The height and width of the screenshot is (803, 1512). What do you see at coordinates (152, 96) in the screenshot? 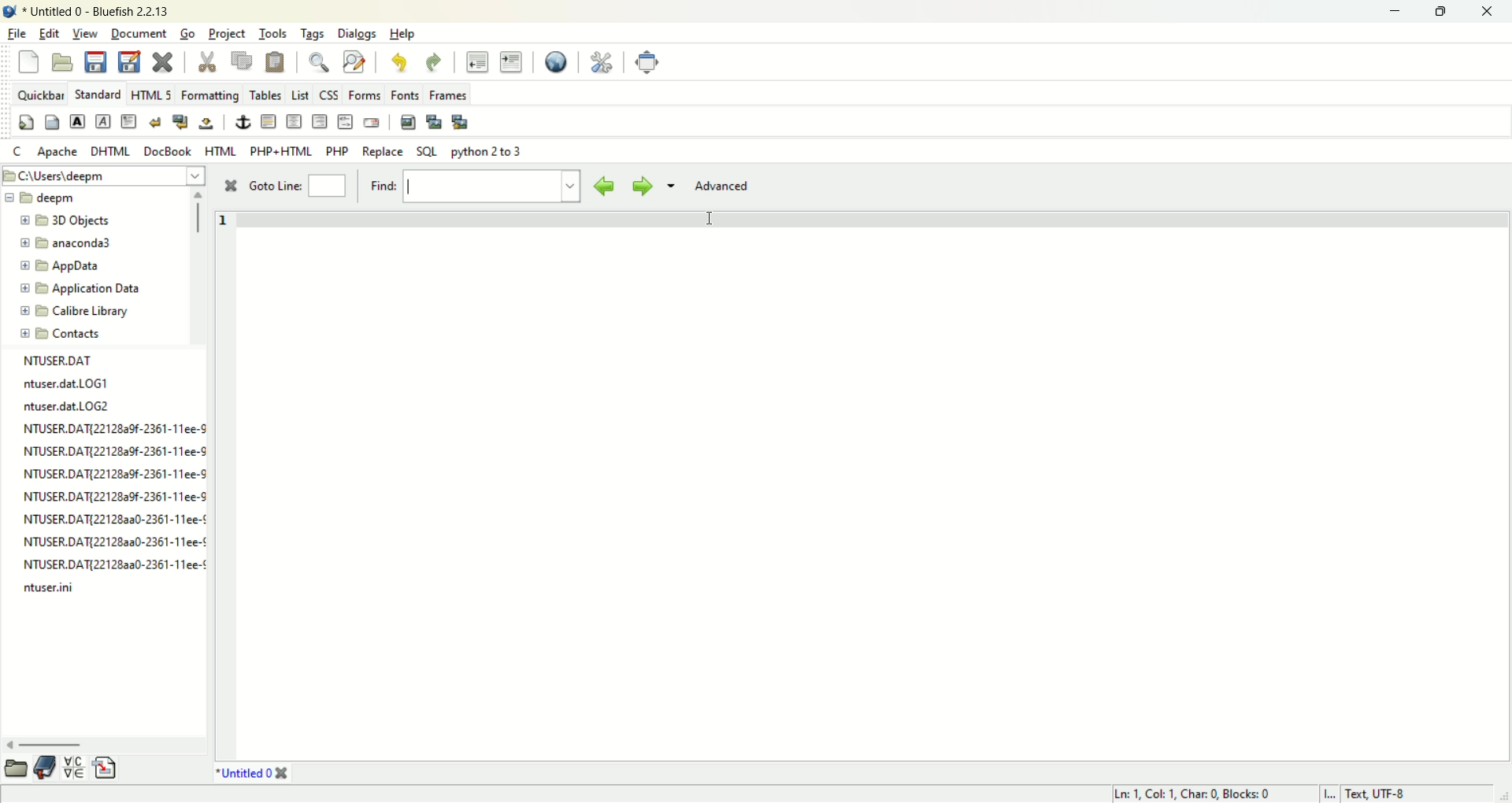
I see `HTML 5` at bounding box center [152, 96].